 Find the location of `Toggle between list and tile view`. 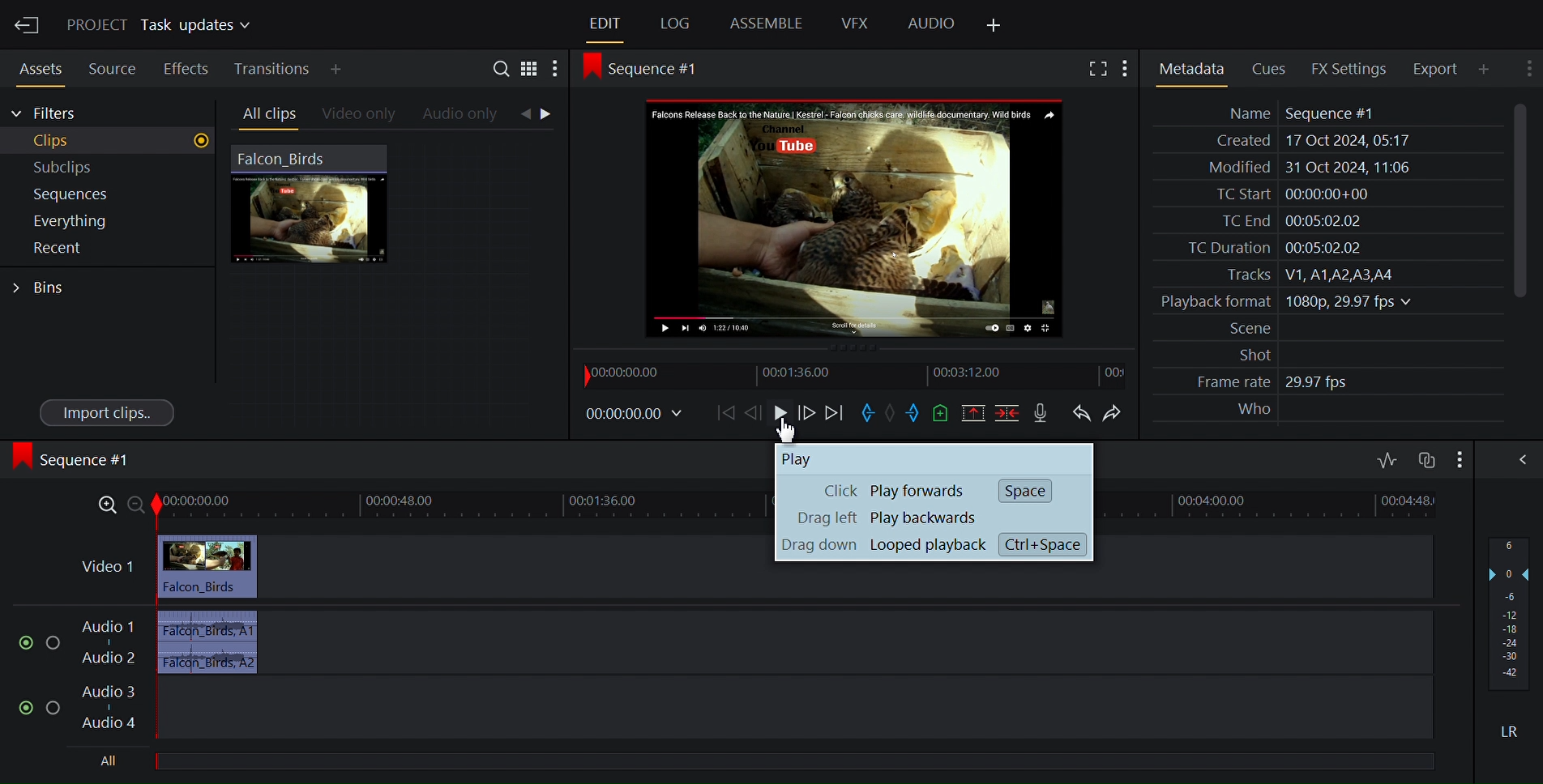

Toggle between list and tile view is located at coordinates (530, 67).